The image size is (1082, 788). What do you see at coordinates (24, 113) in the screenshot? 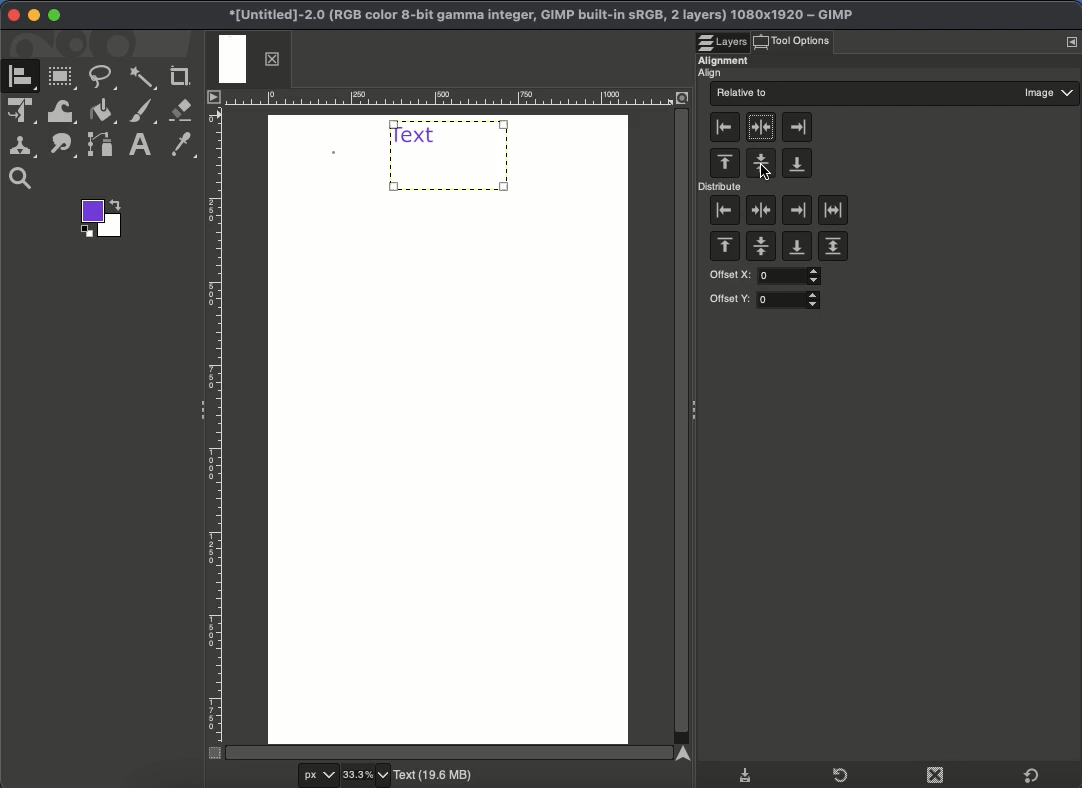
I see `Unified transformation` at bounding box center [24, 113].